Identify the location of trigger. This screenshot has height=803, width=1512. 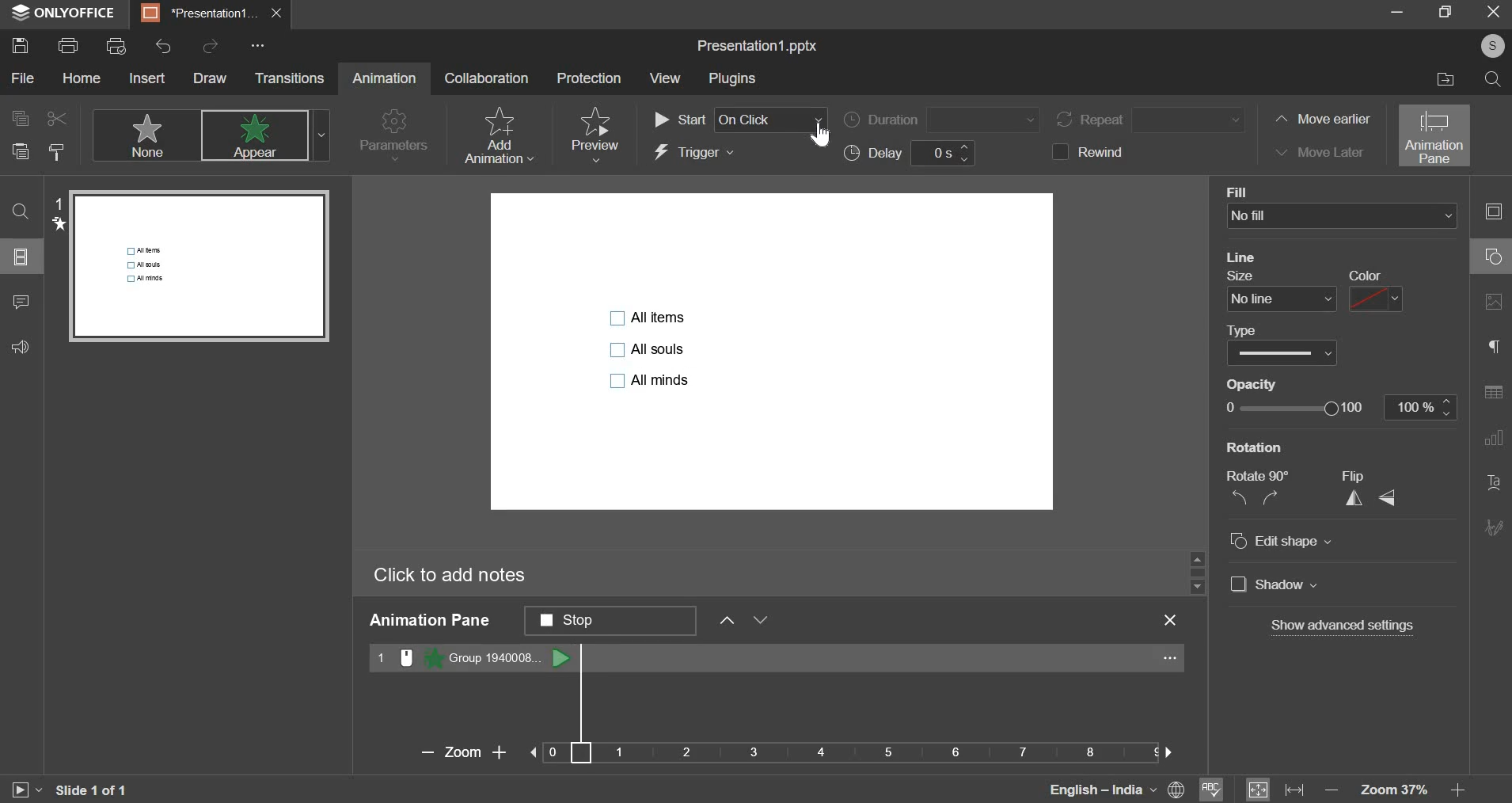
(695, 154).